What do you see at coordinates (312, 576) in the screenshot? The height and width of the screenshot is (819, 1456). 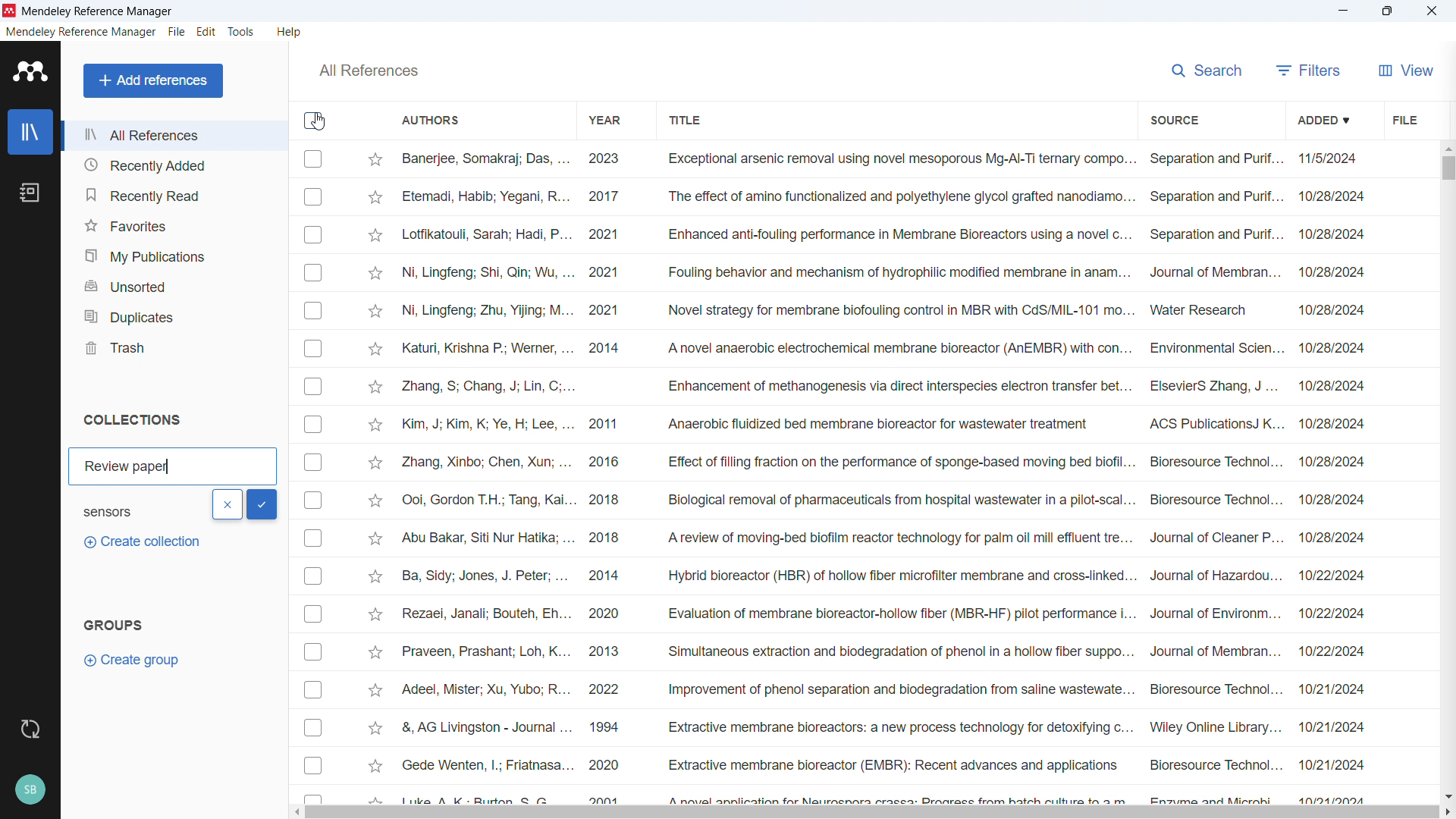 I see `Select respective publication` at bounding box center [312, 576].